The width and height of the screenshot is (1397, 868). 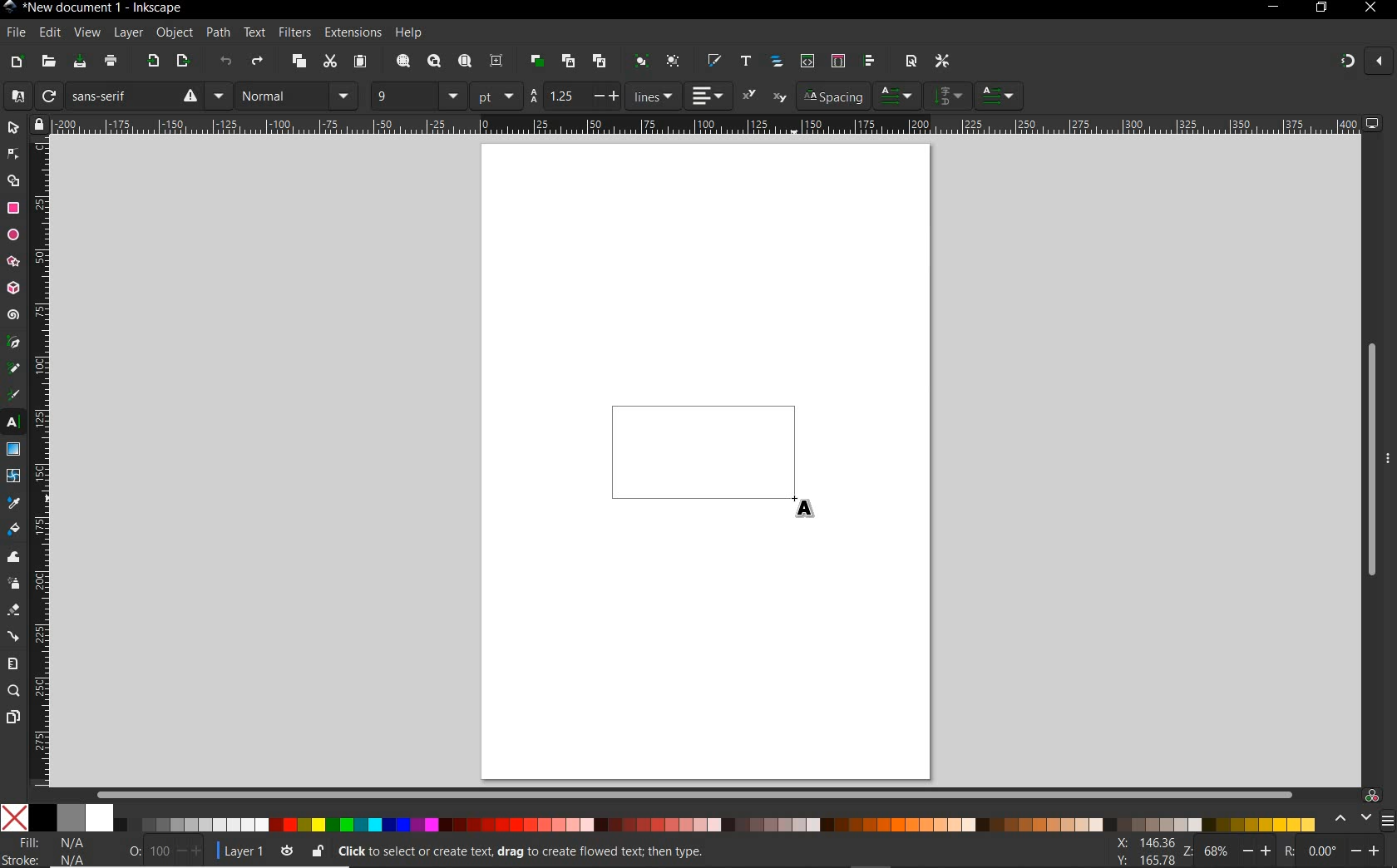 I want to click on no object selected, so click(x=637, y=851).